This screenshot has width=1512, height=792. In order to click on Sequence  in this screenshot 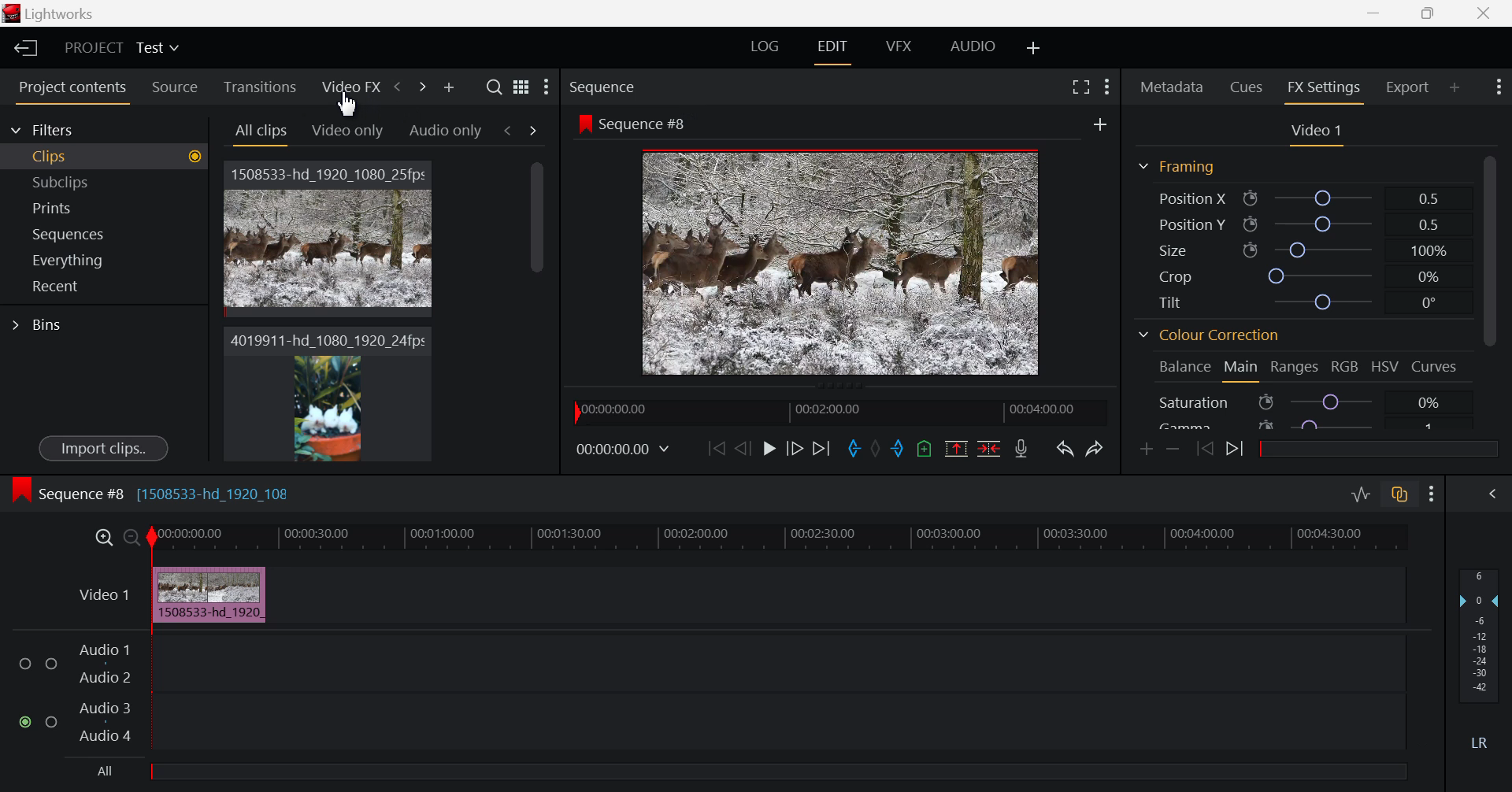, I will do `click(606, 87)`.